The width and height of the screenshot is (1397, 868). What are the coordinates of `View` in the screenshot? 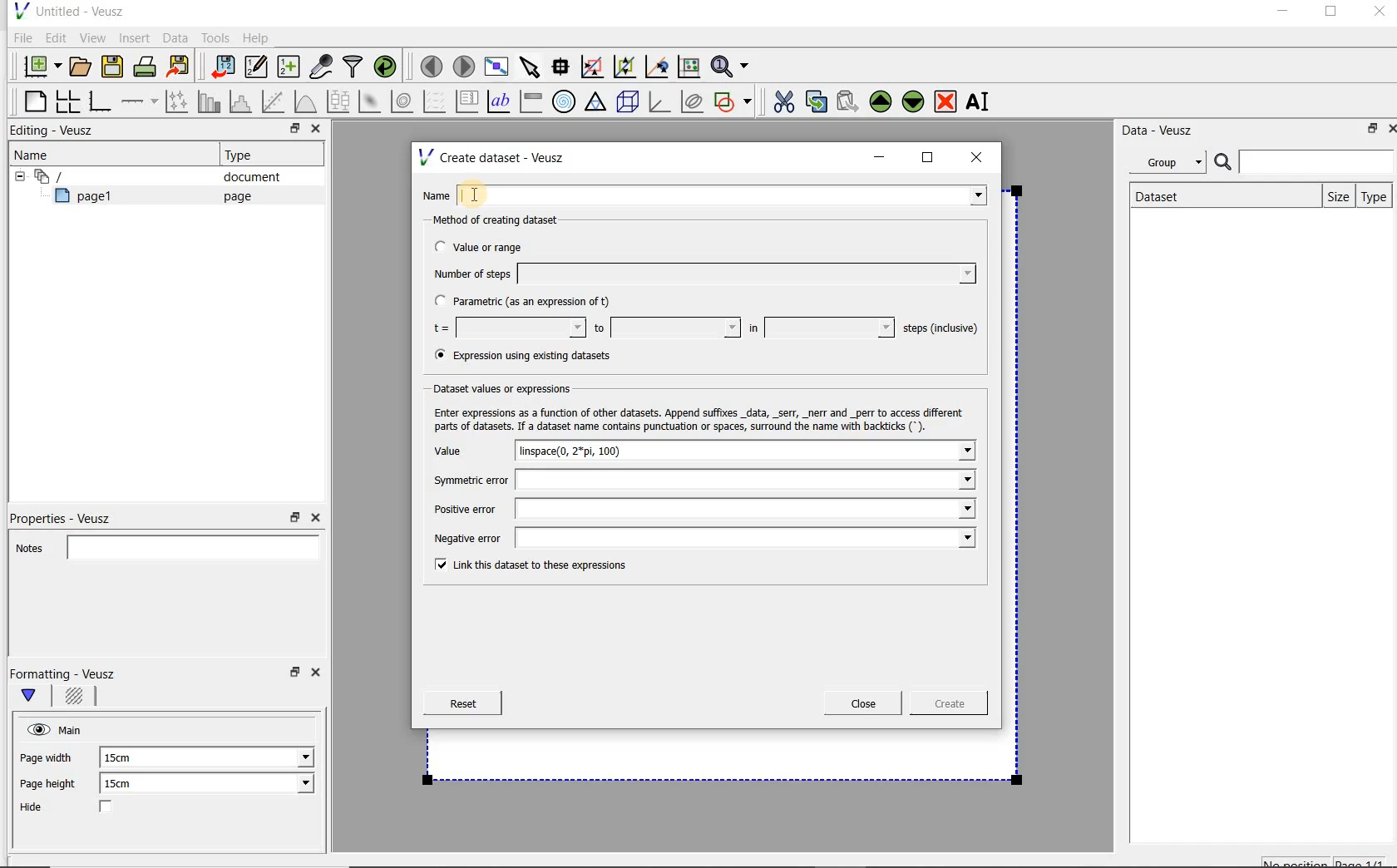 It's located at (92, 36).